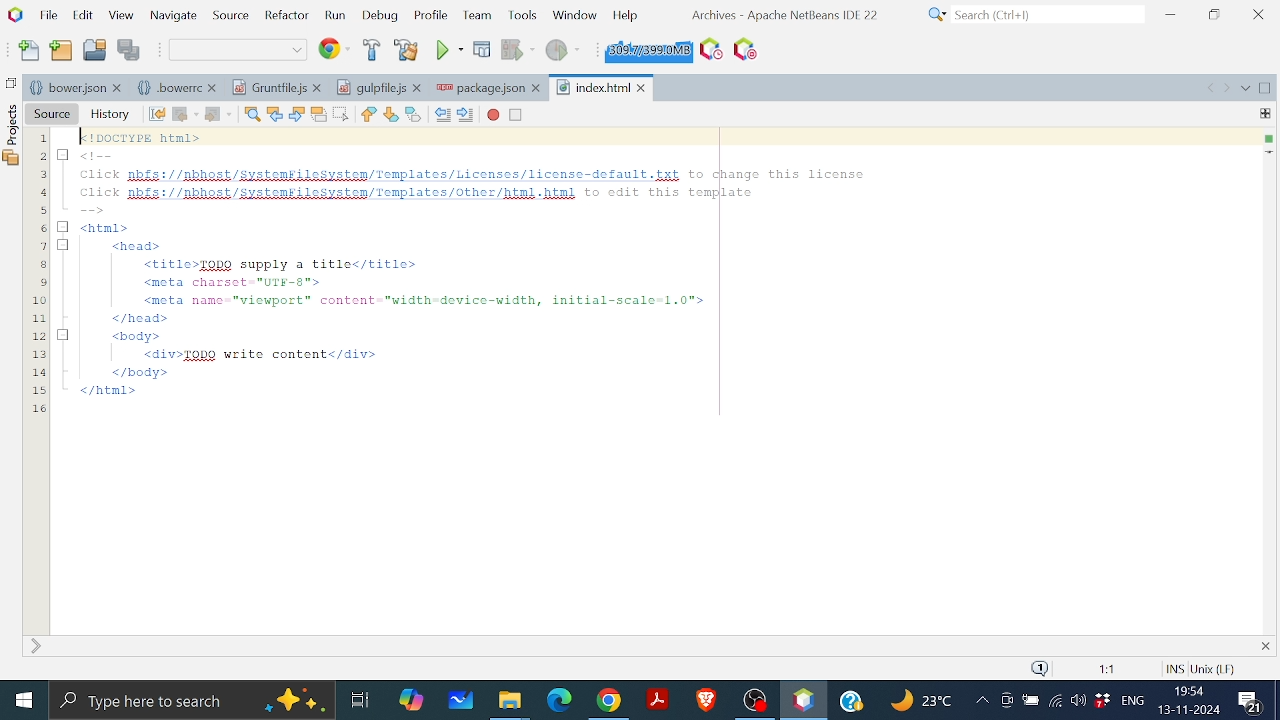 The width and height of the screenshot is (1280, 720). Describe the element at coordinates (1258, 644) in the screenshot. I see `close current tab ` at that location.